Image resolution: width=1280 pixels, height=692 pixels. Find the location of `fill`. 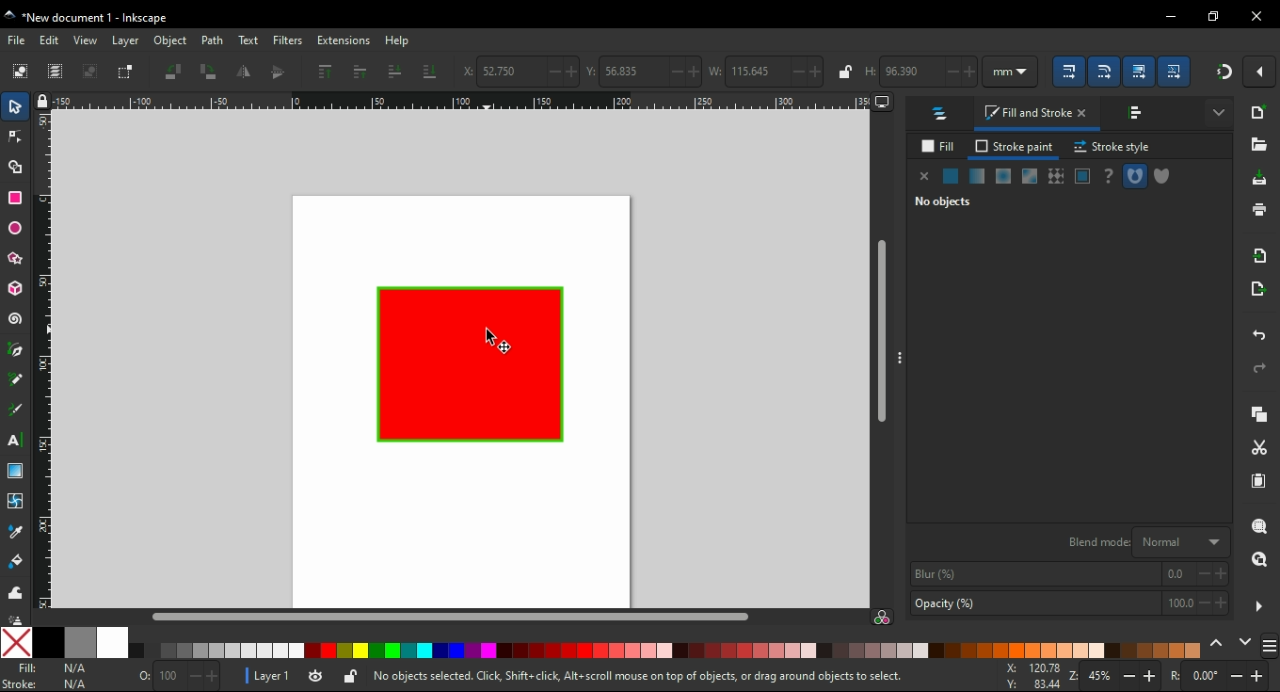

fill is located at coordinates (937, 146).